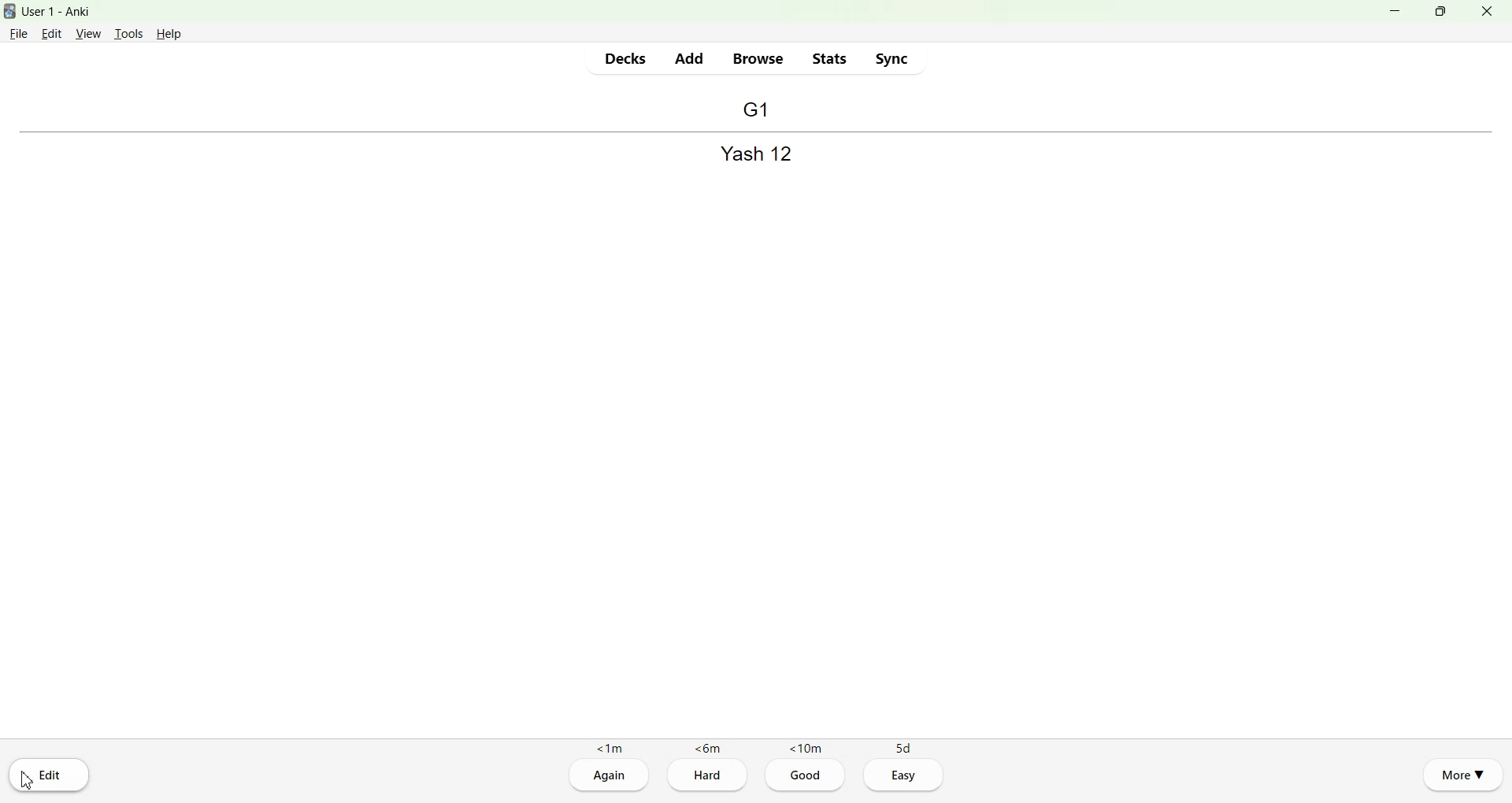 The height and width of the screenshot is (803, 1512). What do you see at coordinates (688, 58) in the screenshot?
I see `Add` at bounding box center [688, 58].